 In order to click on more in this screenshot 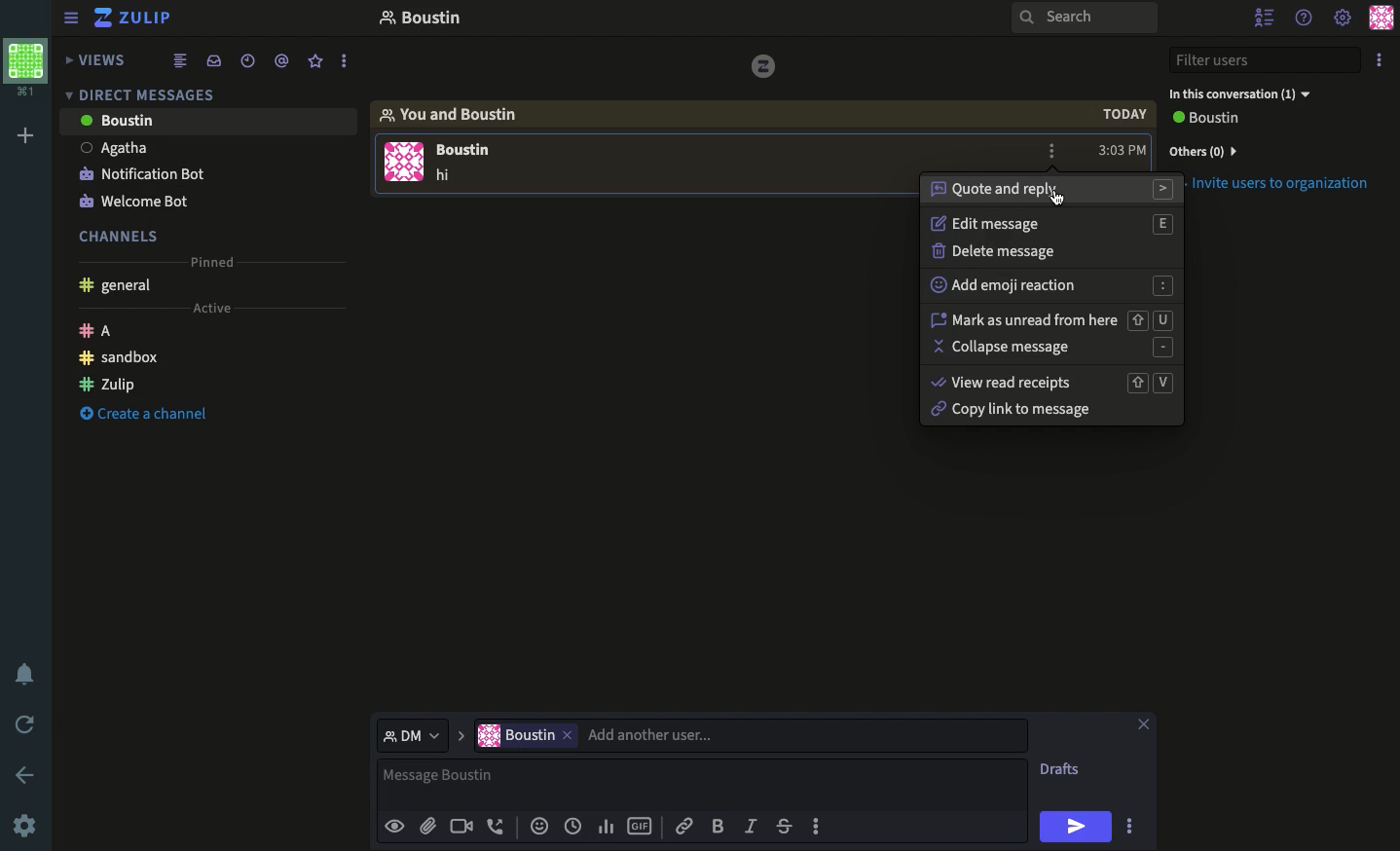, I will do `click(346, 62)`.